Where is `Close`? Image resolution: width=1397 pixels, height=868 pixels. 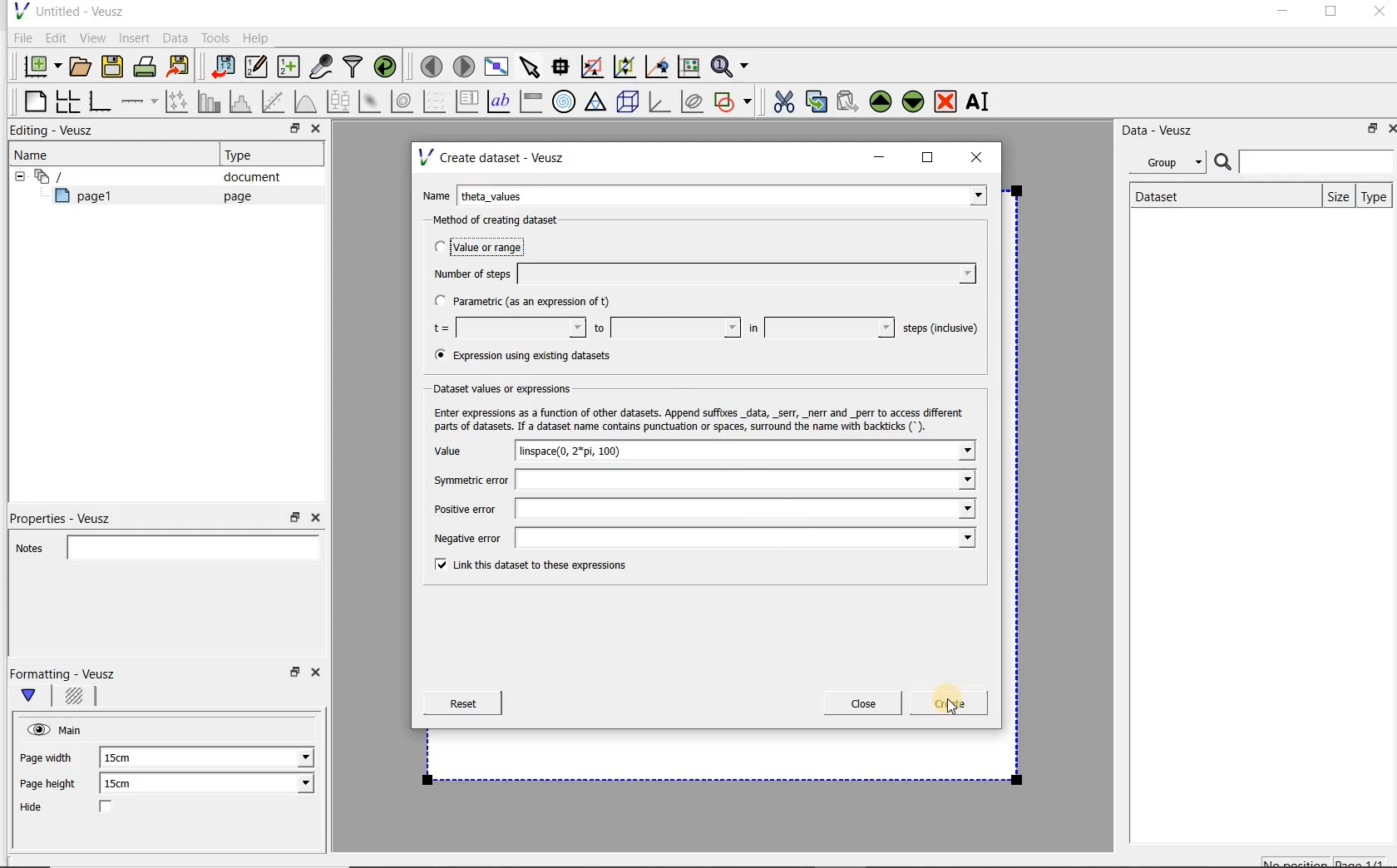
Close is located at coordinates (318, 675).